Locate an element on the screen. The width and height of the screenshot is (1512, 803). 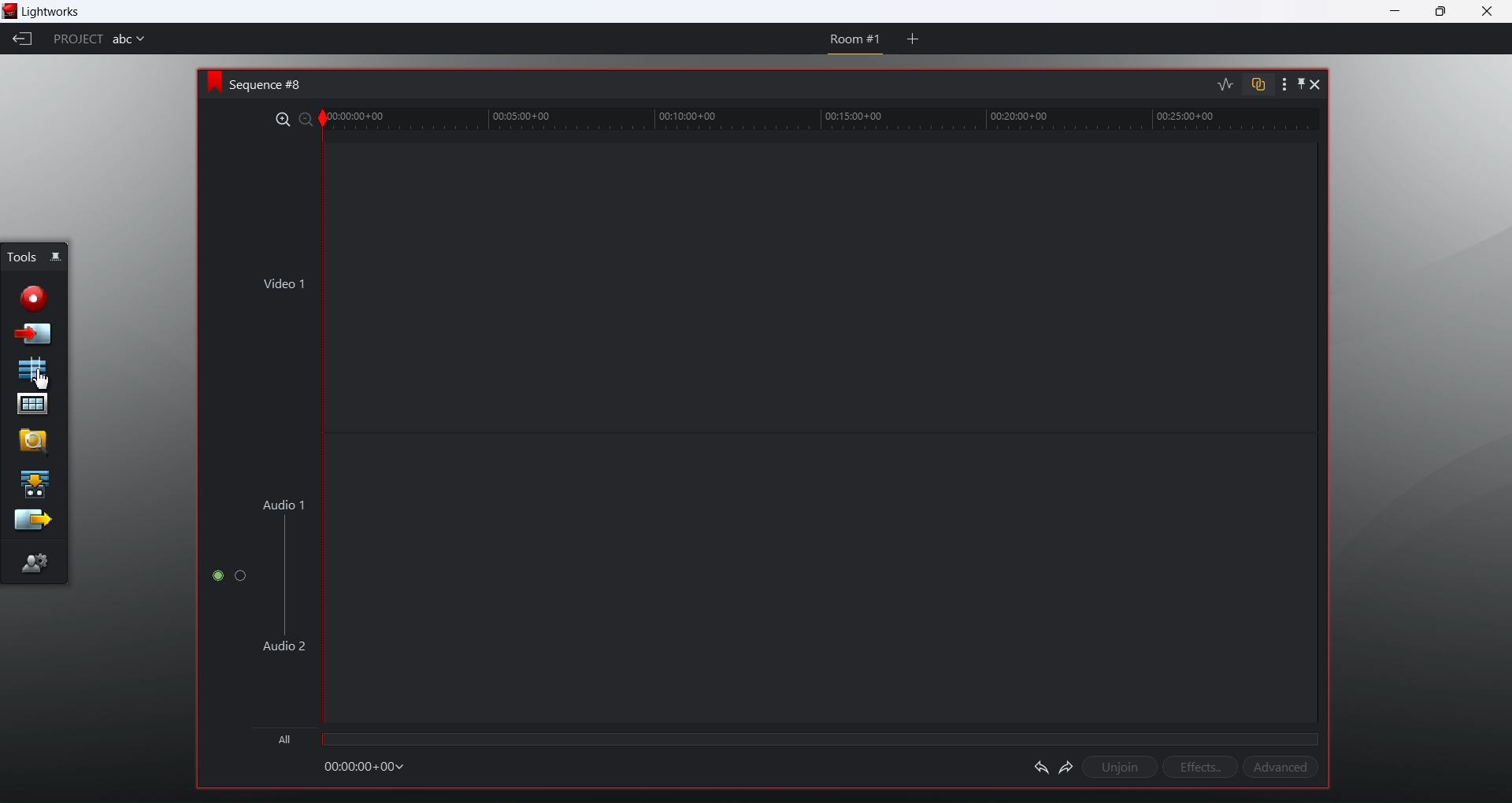
video 1 is located at coordinates (282, 283).